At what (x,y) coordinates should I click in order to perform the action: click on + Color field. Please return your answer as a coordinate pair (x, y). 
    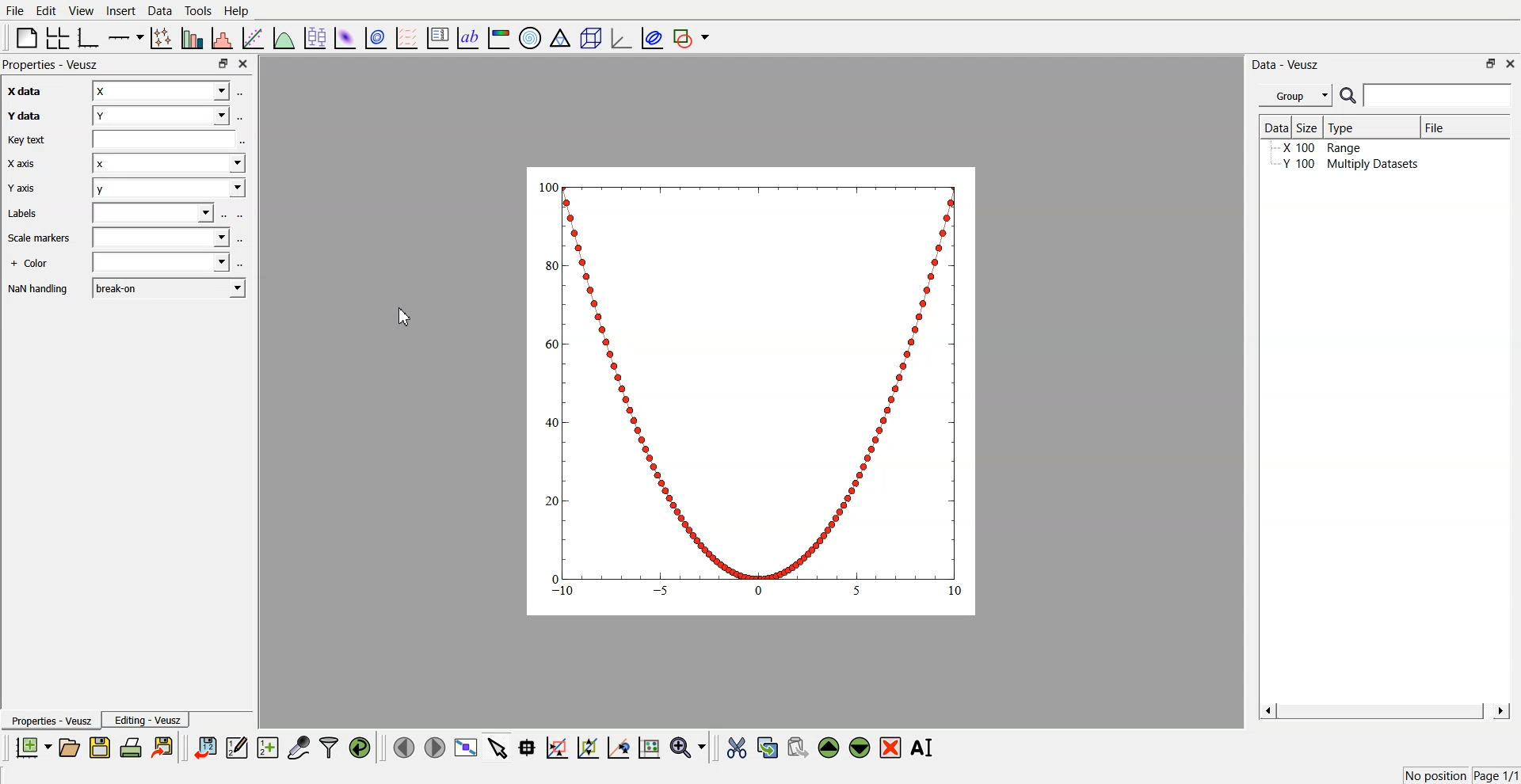
    Looking at the image, I should click on (159, 263).